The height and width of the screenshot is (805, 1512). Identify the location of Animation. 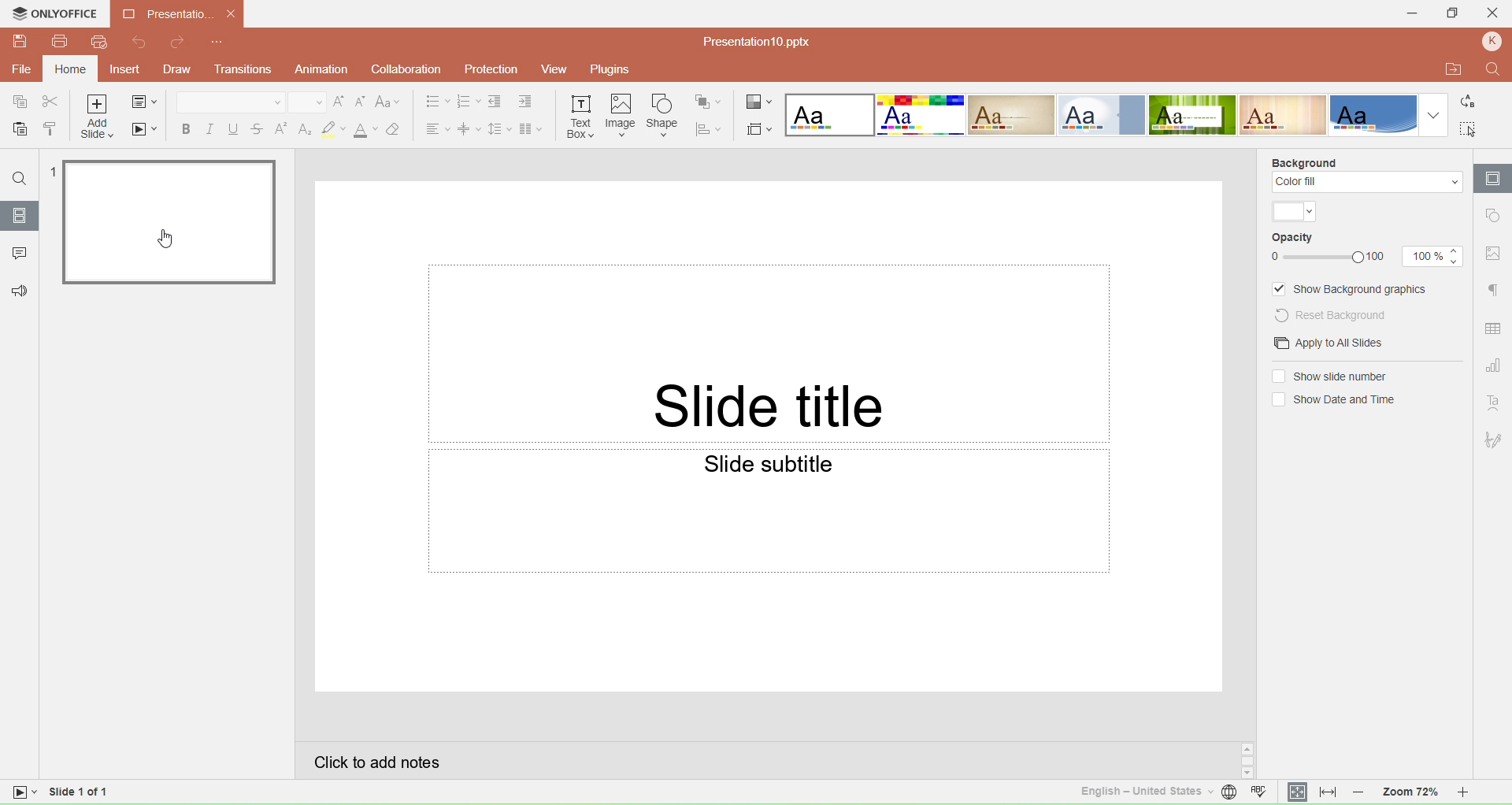
(321, 69).